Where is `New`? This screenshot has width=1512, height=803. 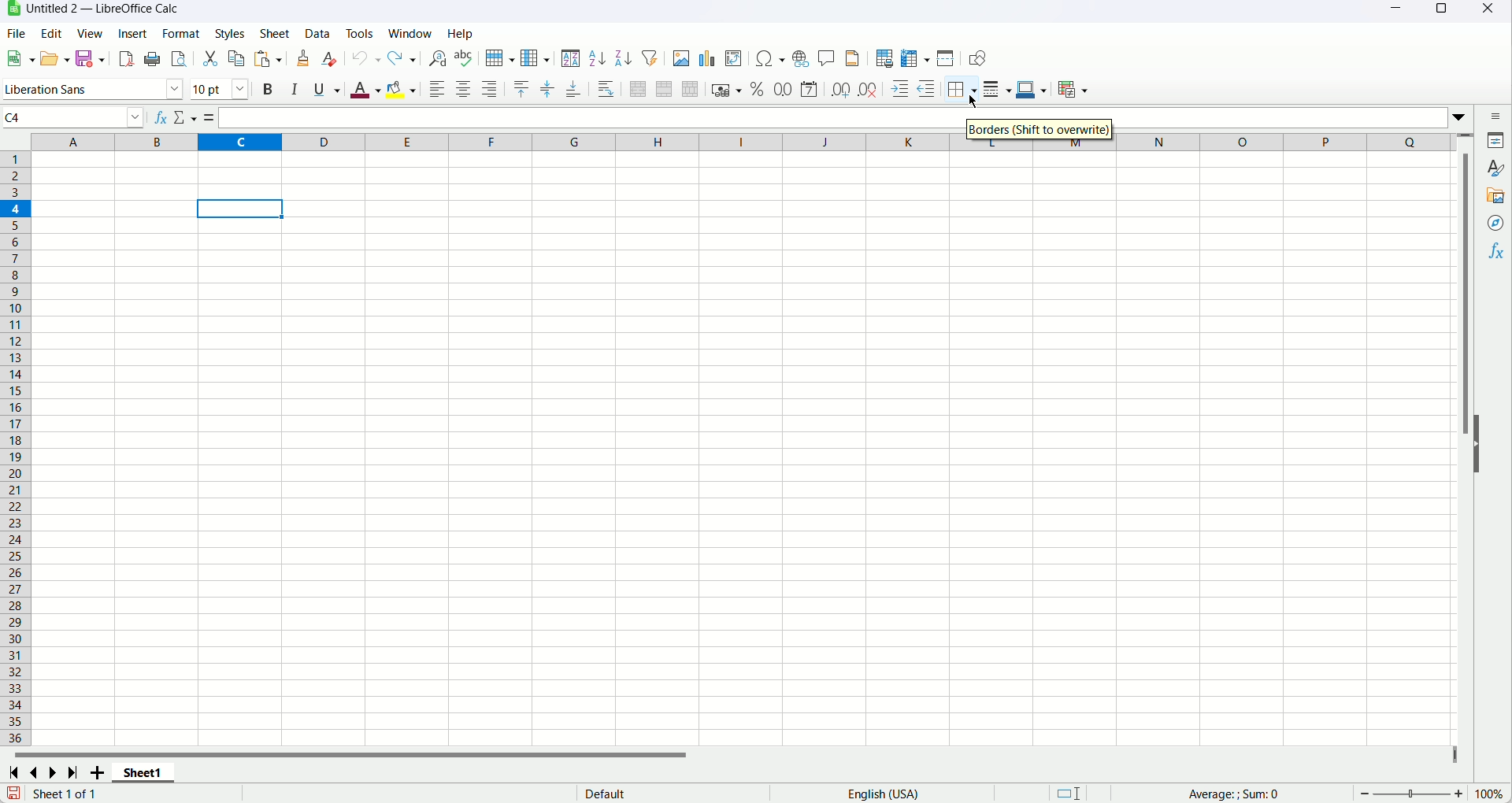
New is located at coordinates (20, 55).